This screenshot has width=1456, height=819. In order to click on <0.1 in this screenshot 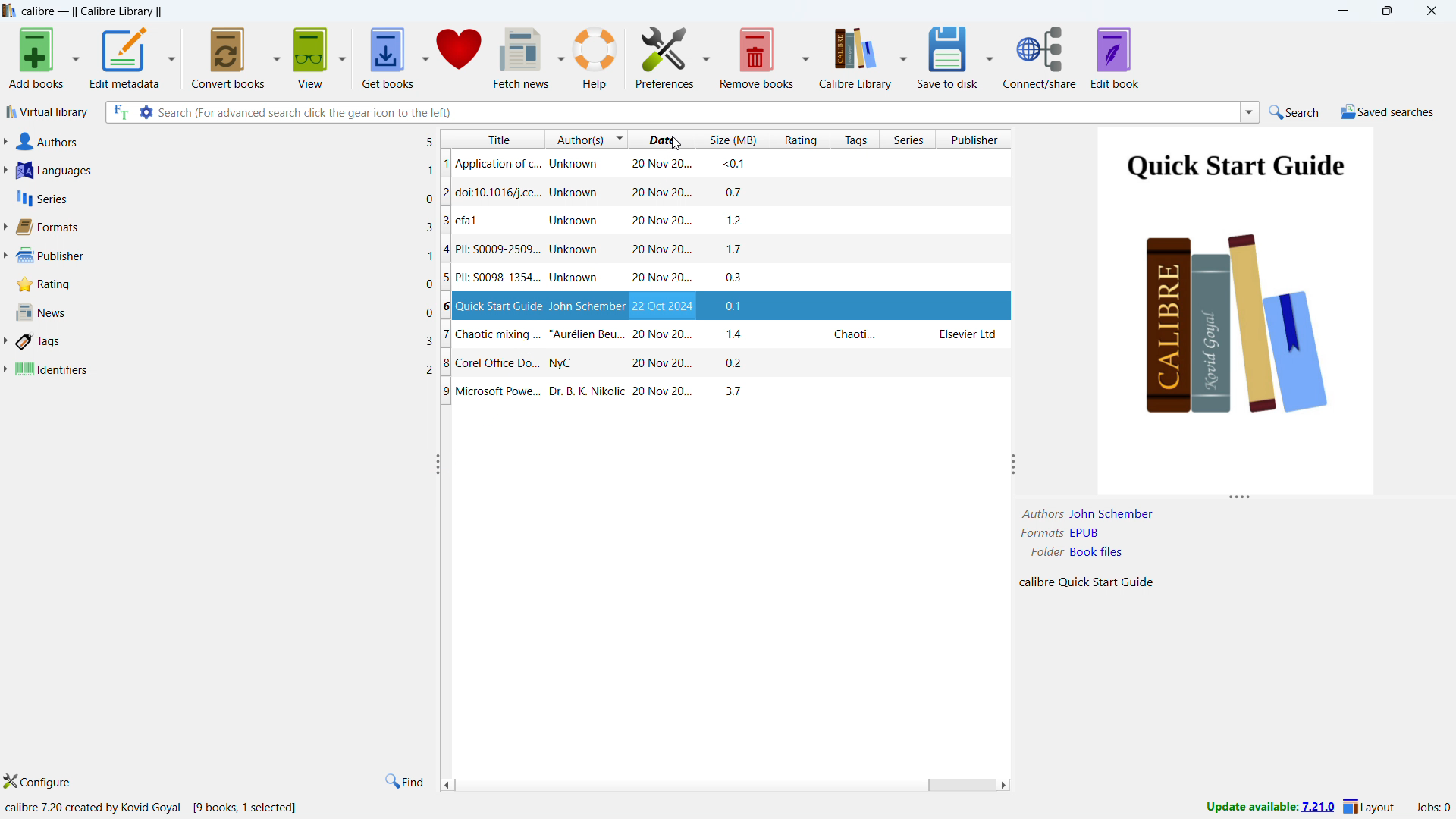, I will do `click(735, 165)`.